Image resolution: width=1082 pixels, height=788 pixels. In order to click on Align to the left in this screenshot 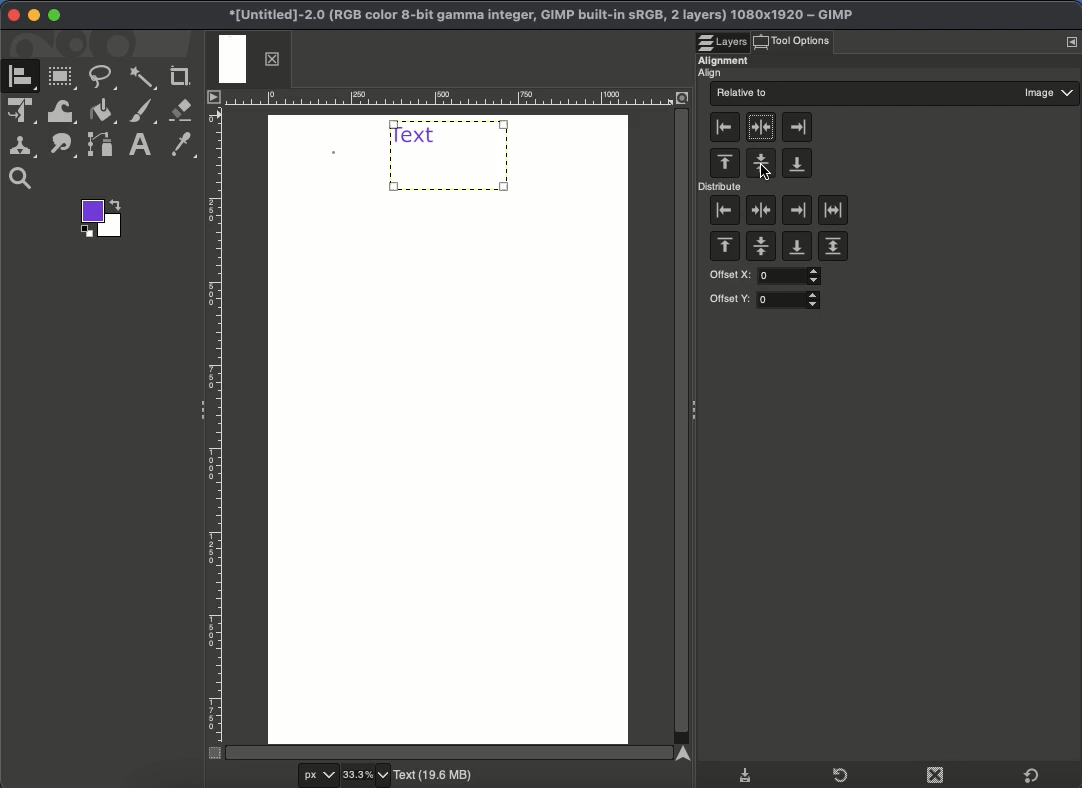, I will do `click(726, 127)`.